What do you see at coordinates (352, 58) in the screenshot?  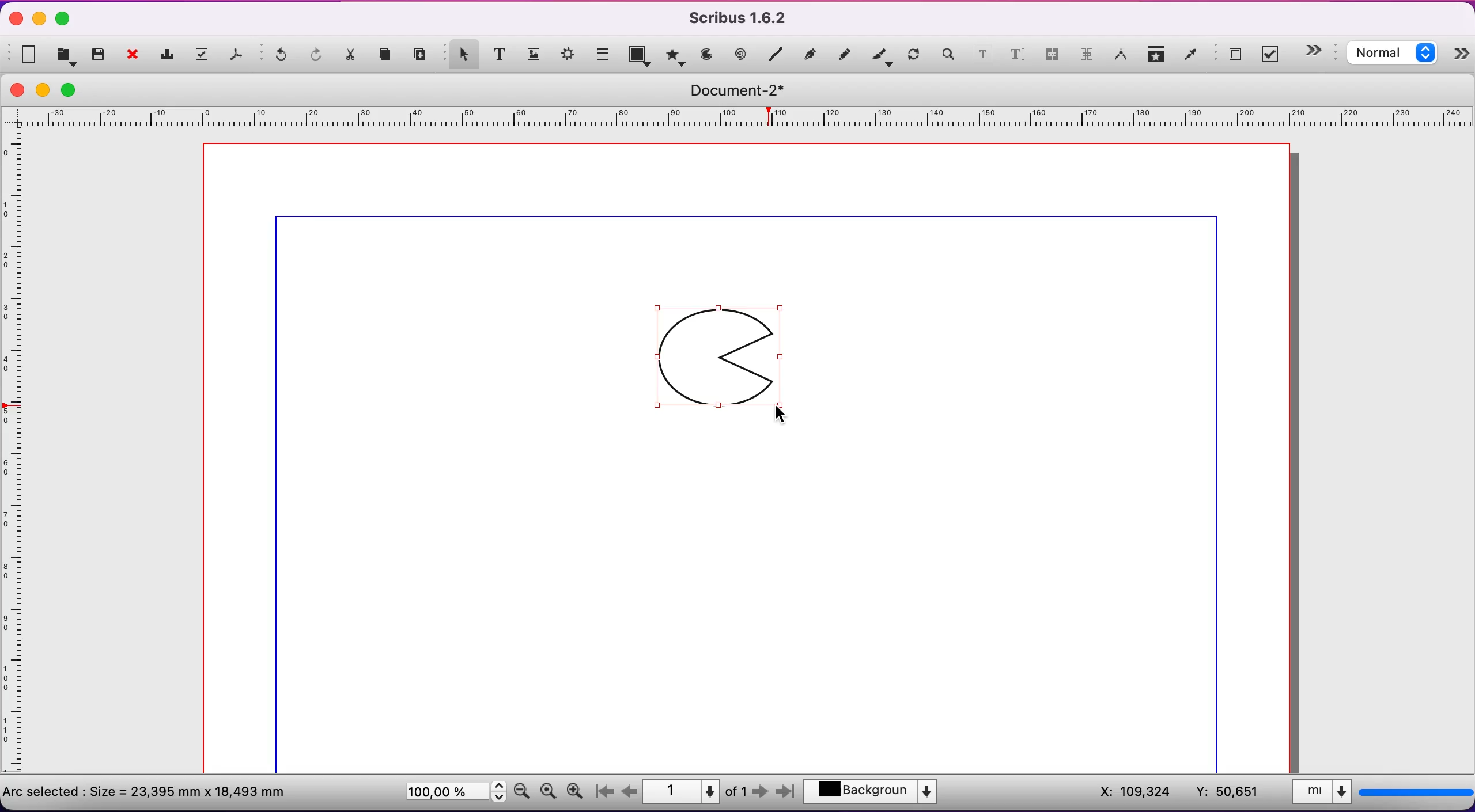 I see `cut` at bounding box center [352, 58].